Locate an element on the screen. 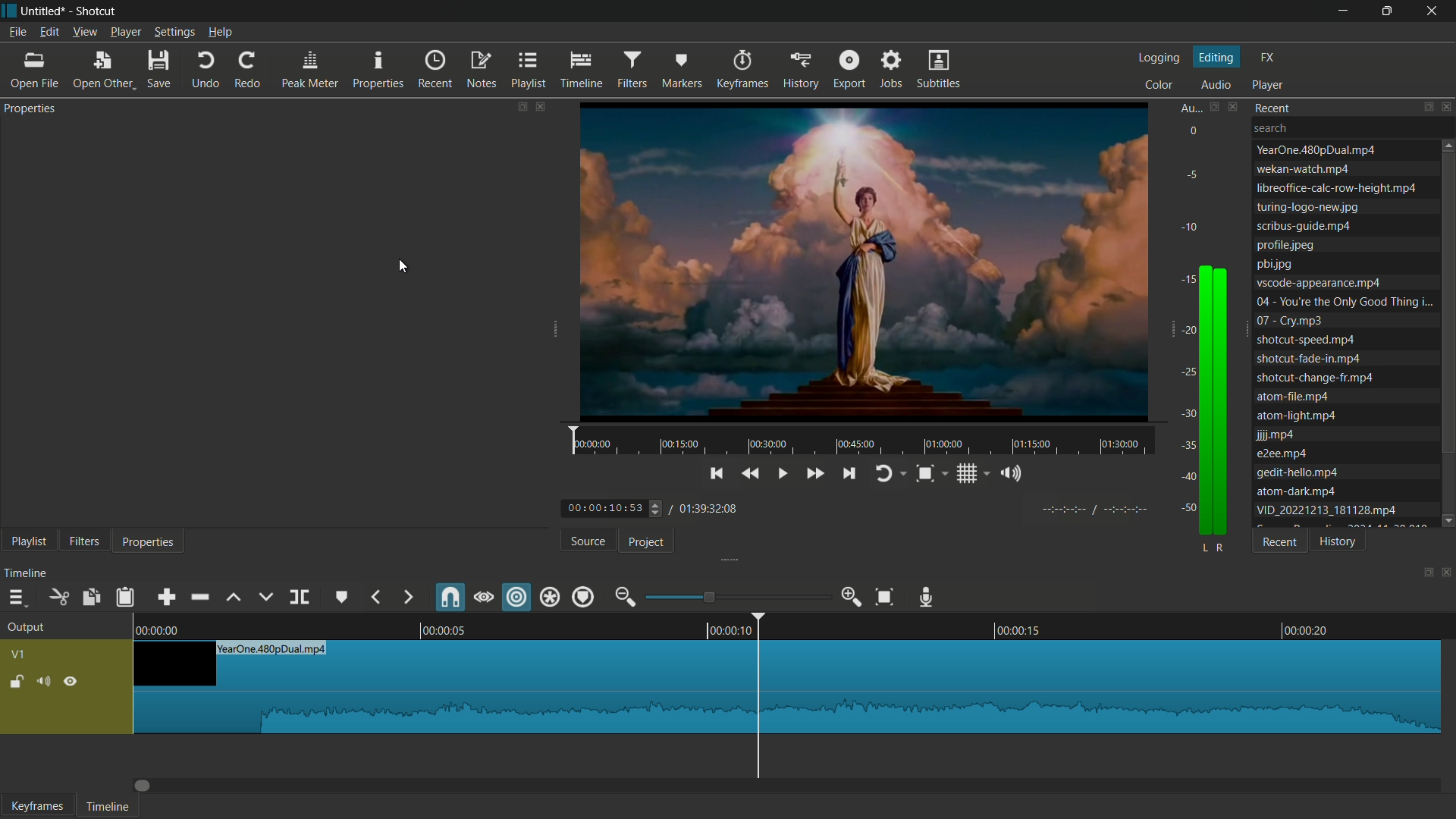 This screenshot has width=1456, height=819. source is located at coordinates (588, 540).